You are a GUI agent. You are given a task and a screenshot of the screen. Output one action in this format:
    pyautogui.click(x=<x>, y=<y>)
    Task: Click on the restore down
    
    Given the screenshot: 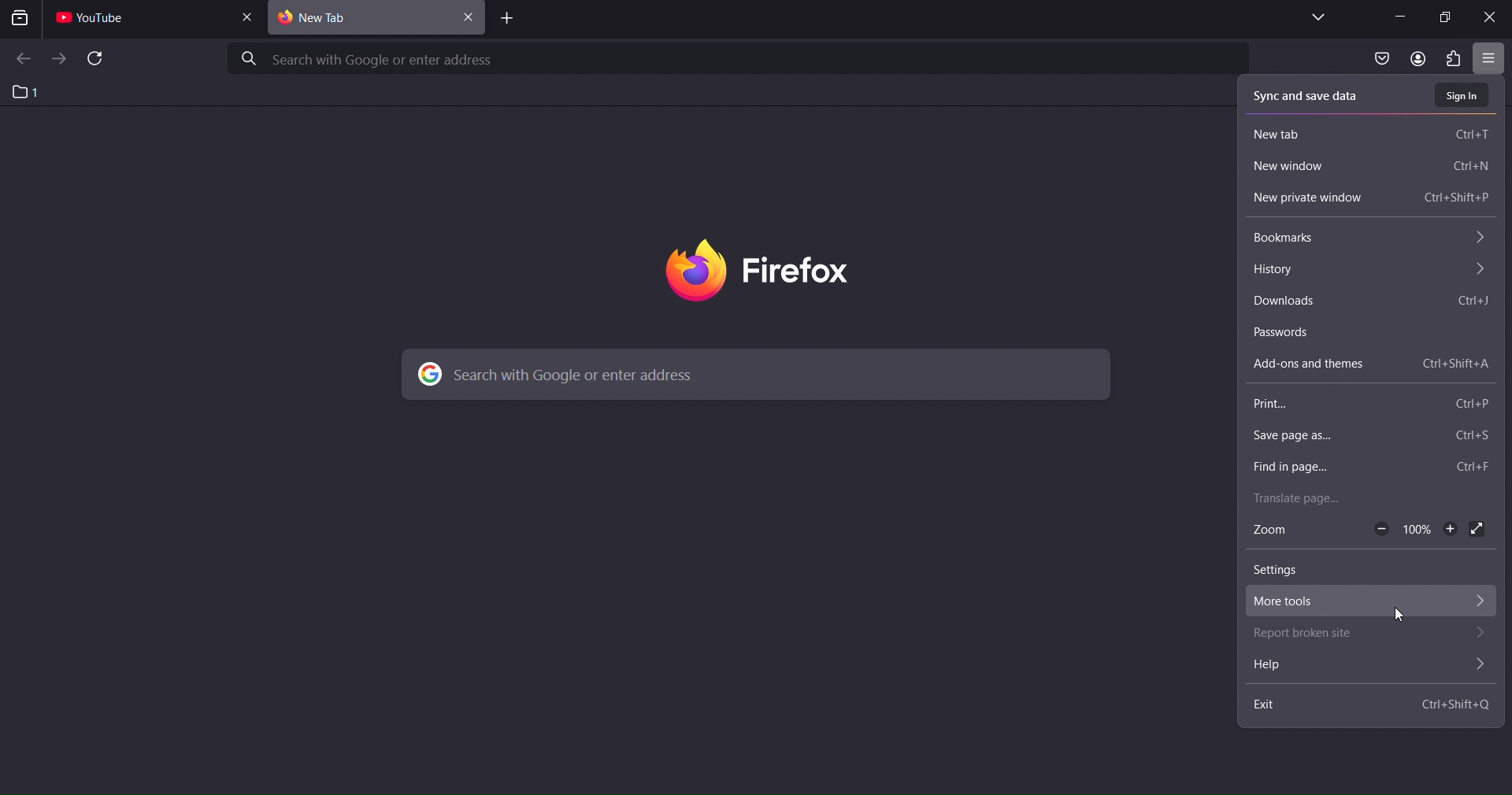 What is the action you would take?
    pyautogui.click(x=1447, y=17)
    